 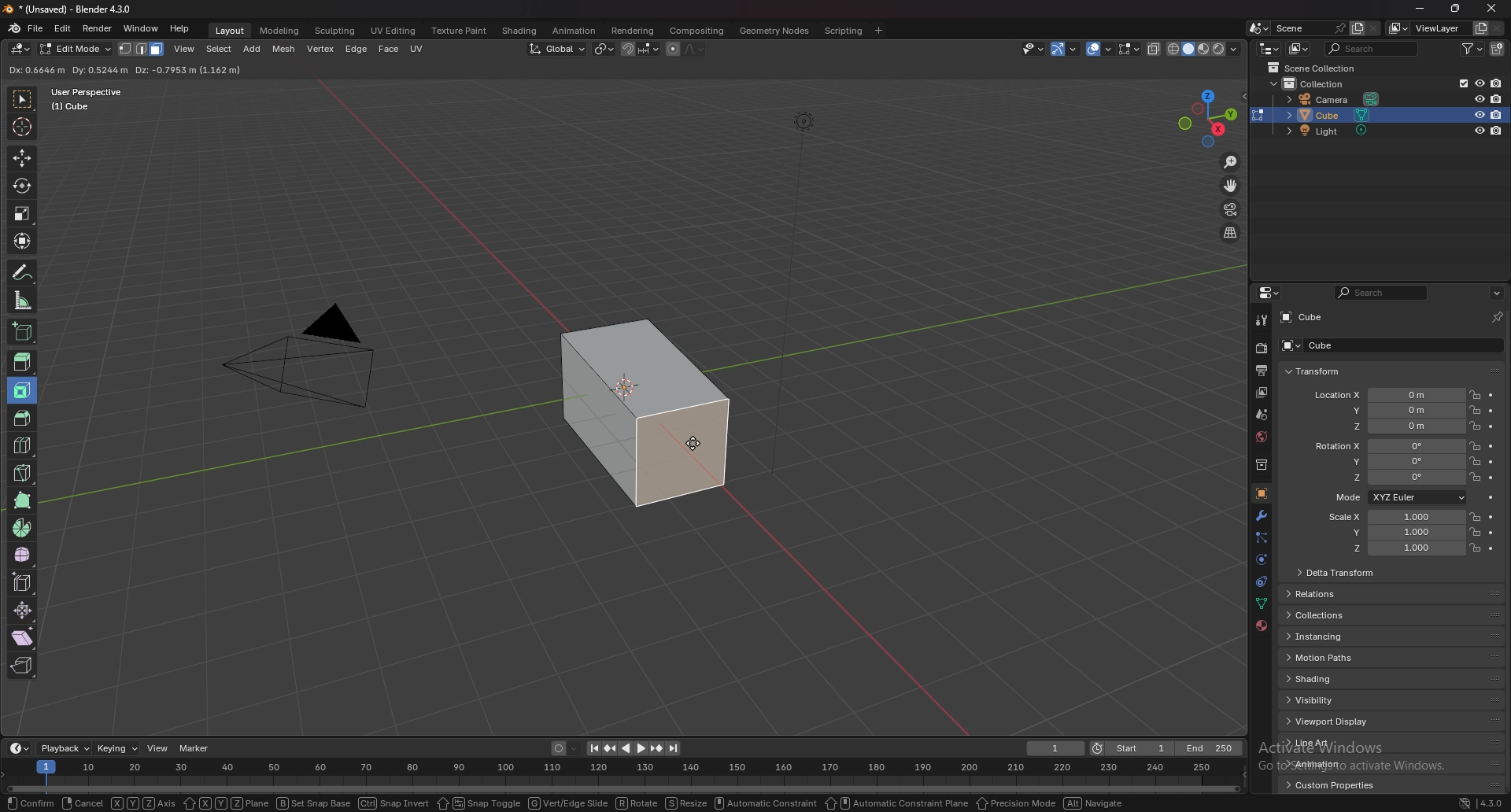 I want to click on exclude from view layer, so click(x=1459, y=82).